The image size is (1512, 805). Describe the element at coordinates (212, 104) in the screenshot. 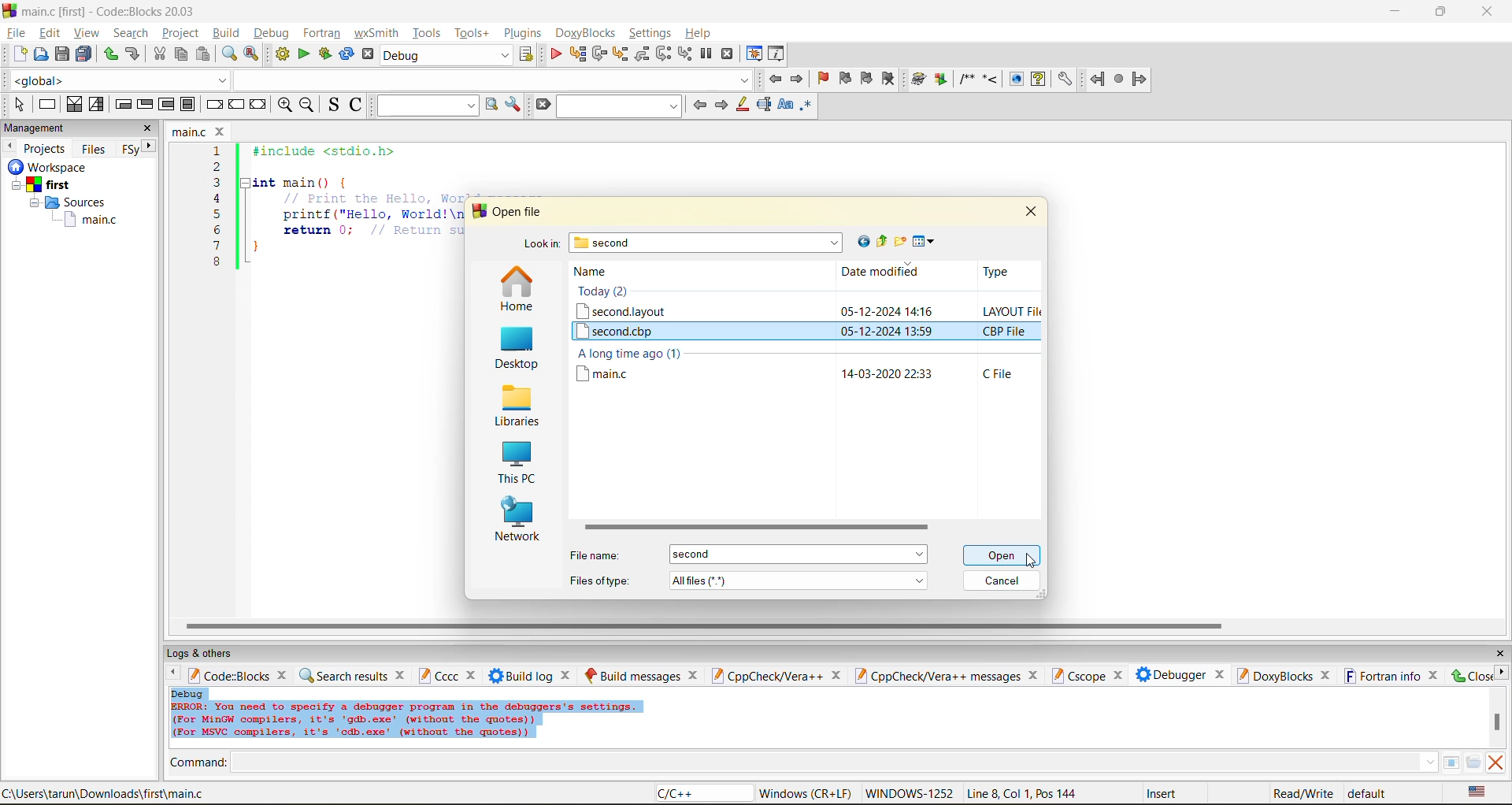

I see `break instruction` at that location.